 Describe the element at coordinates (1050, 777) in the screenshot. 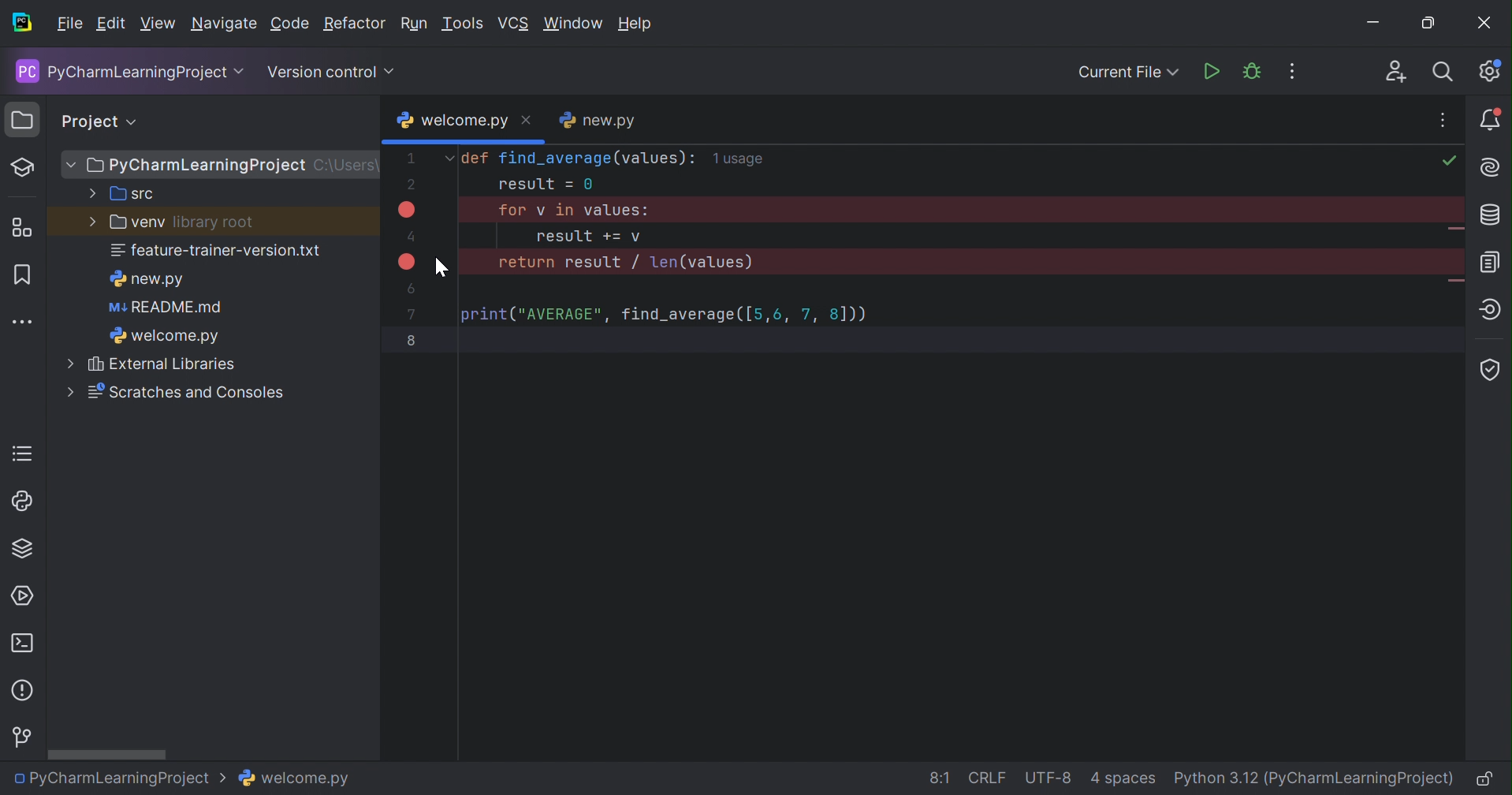

I see `UTF-8` at that location.